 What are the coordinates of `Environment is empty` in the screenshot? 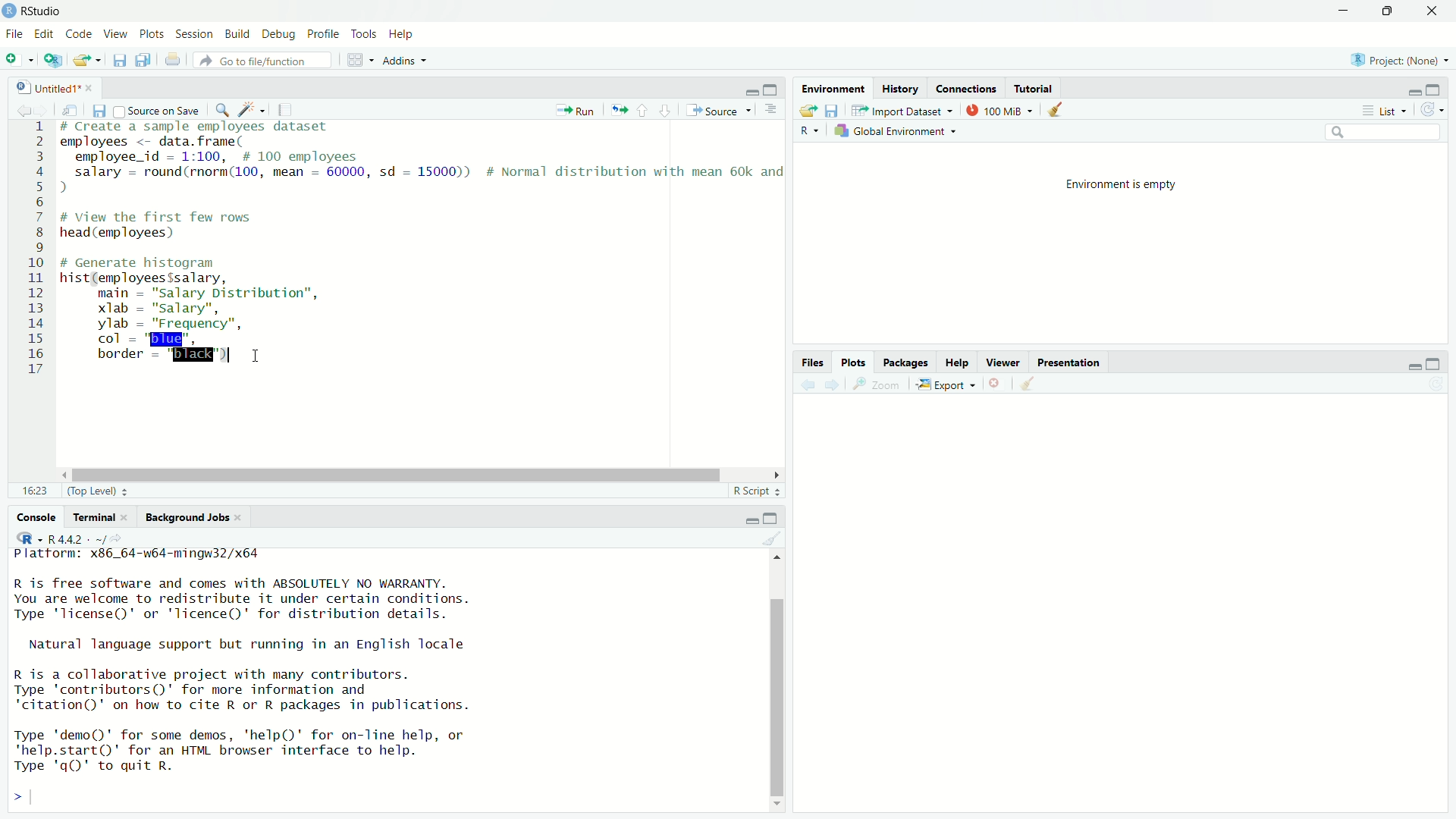 It's located at (1119, 186).